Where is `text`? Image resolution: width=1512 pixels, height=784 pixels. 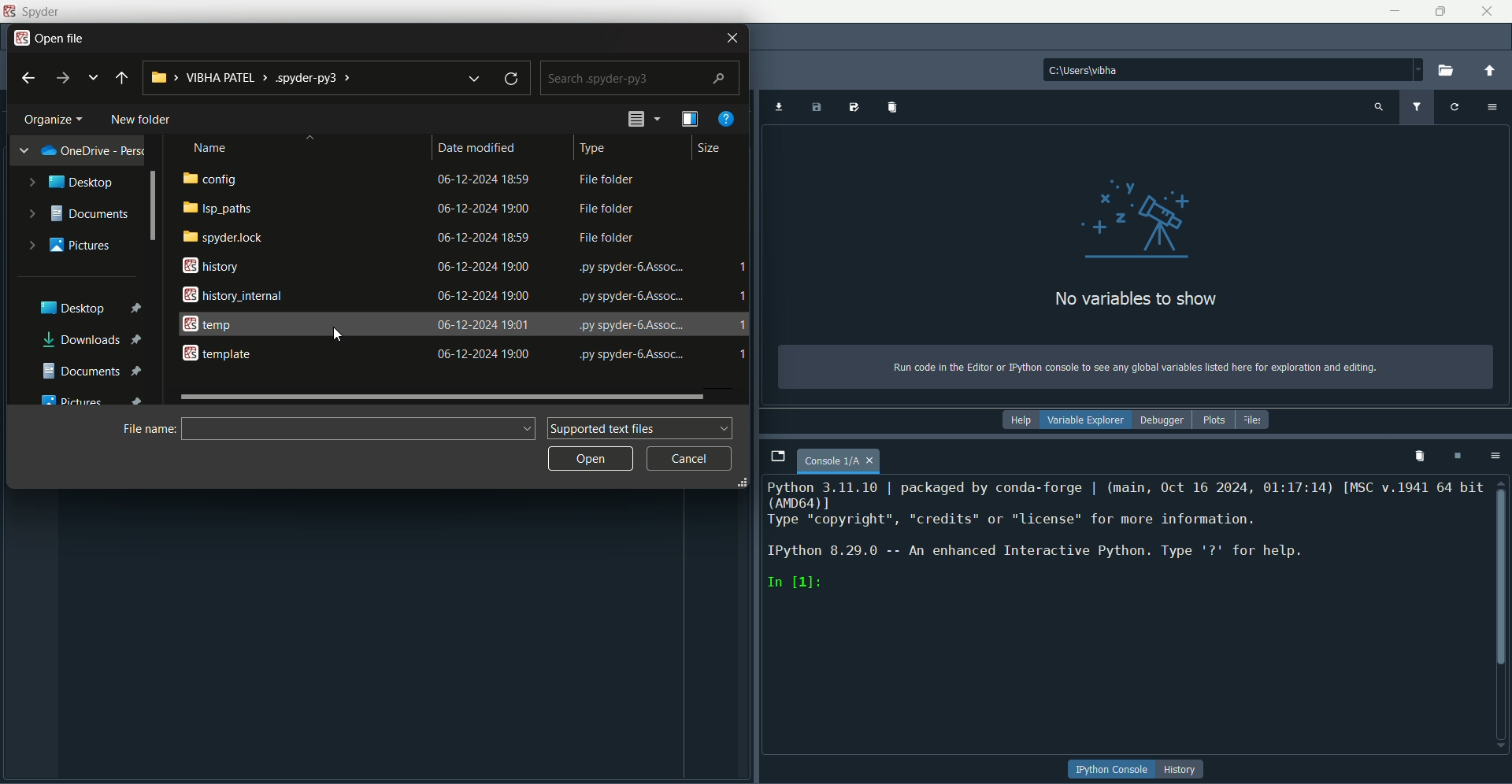 text is located at coordinates (632, 298).